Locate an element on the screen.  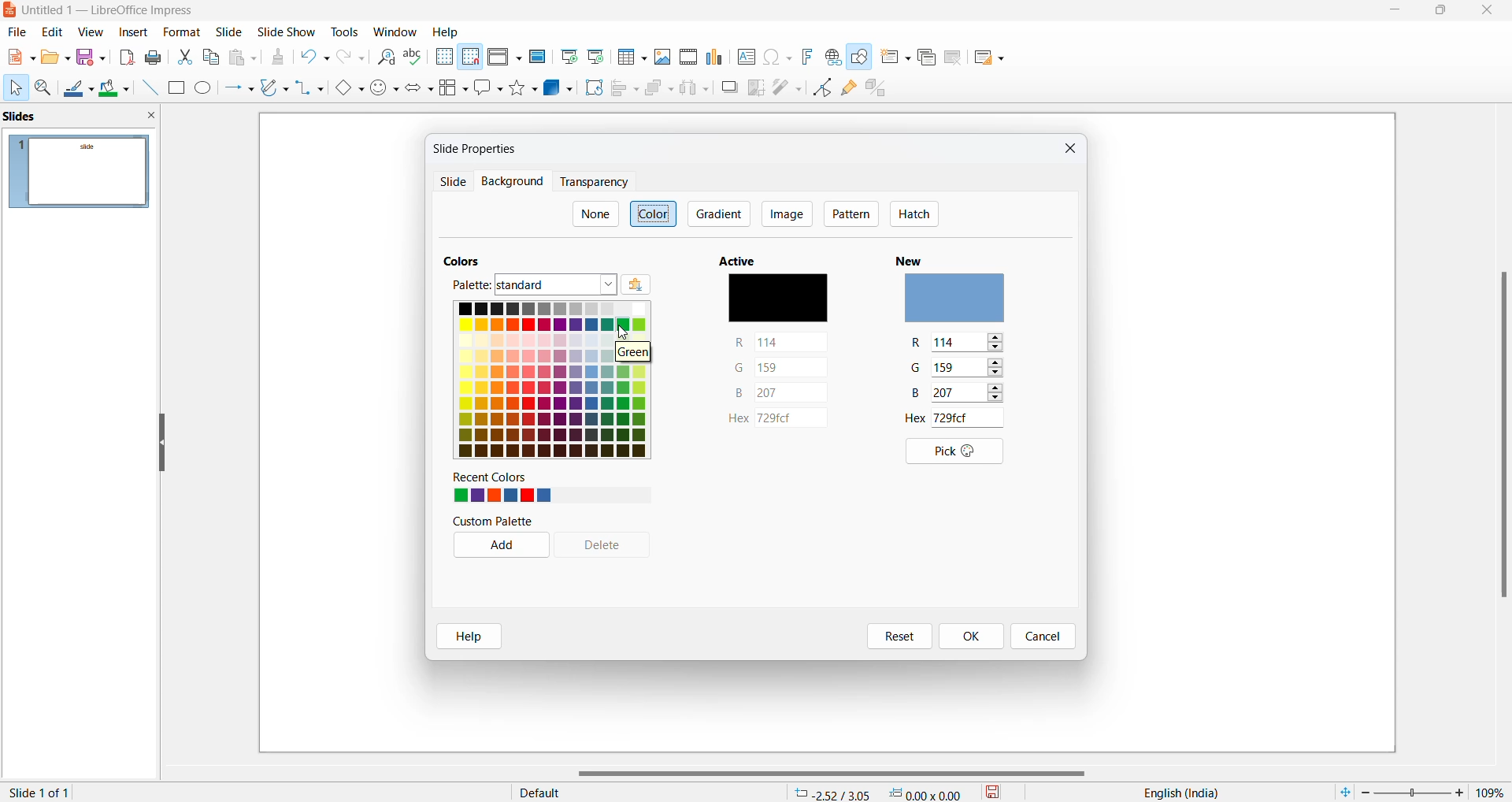
increment and decrement is located at coordinates (1000, 394).